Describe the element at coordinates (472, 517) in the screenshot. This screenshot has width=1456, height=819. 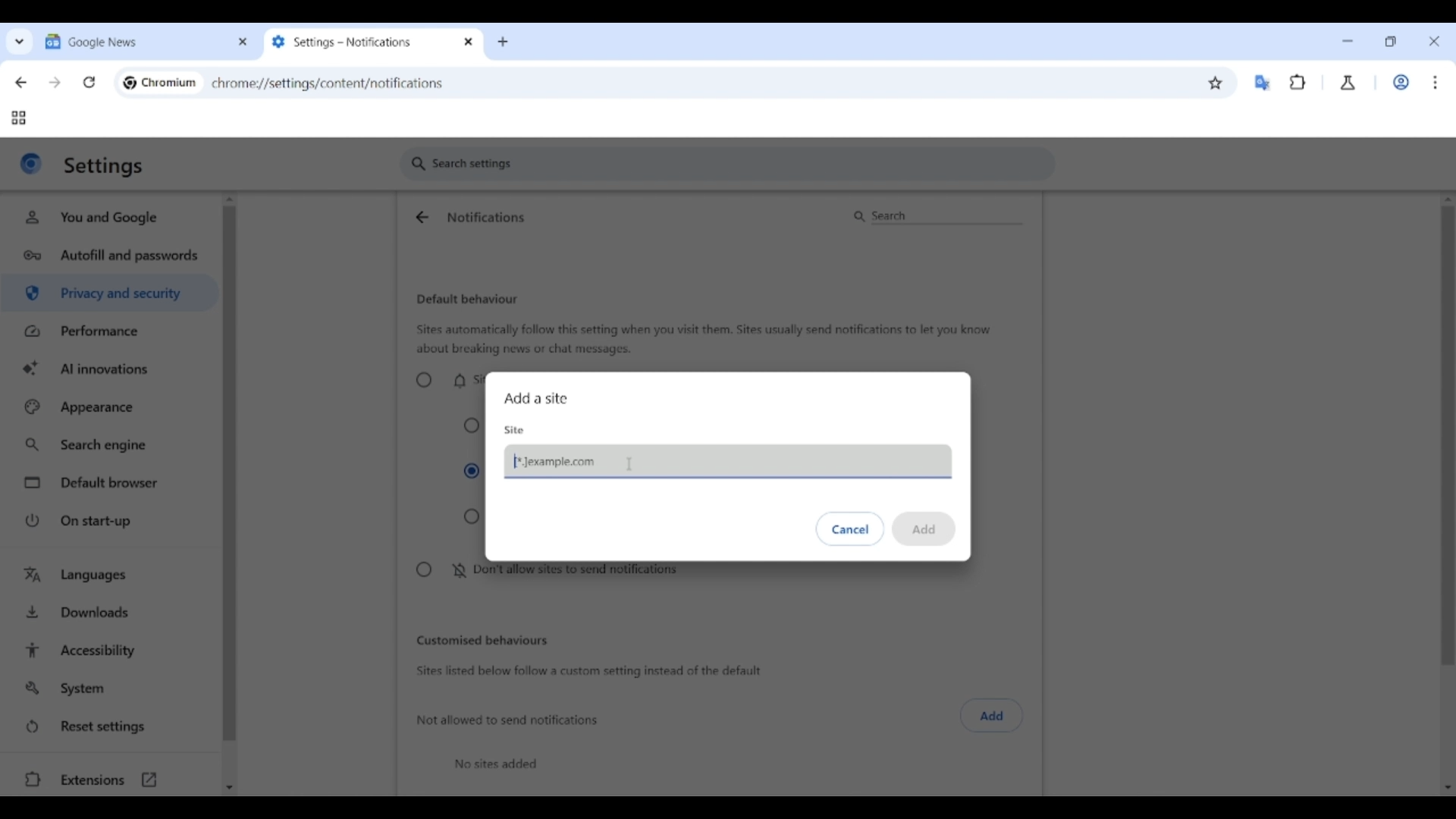
I see `Expand all request ` at that location.